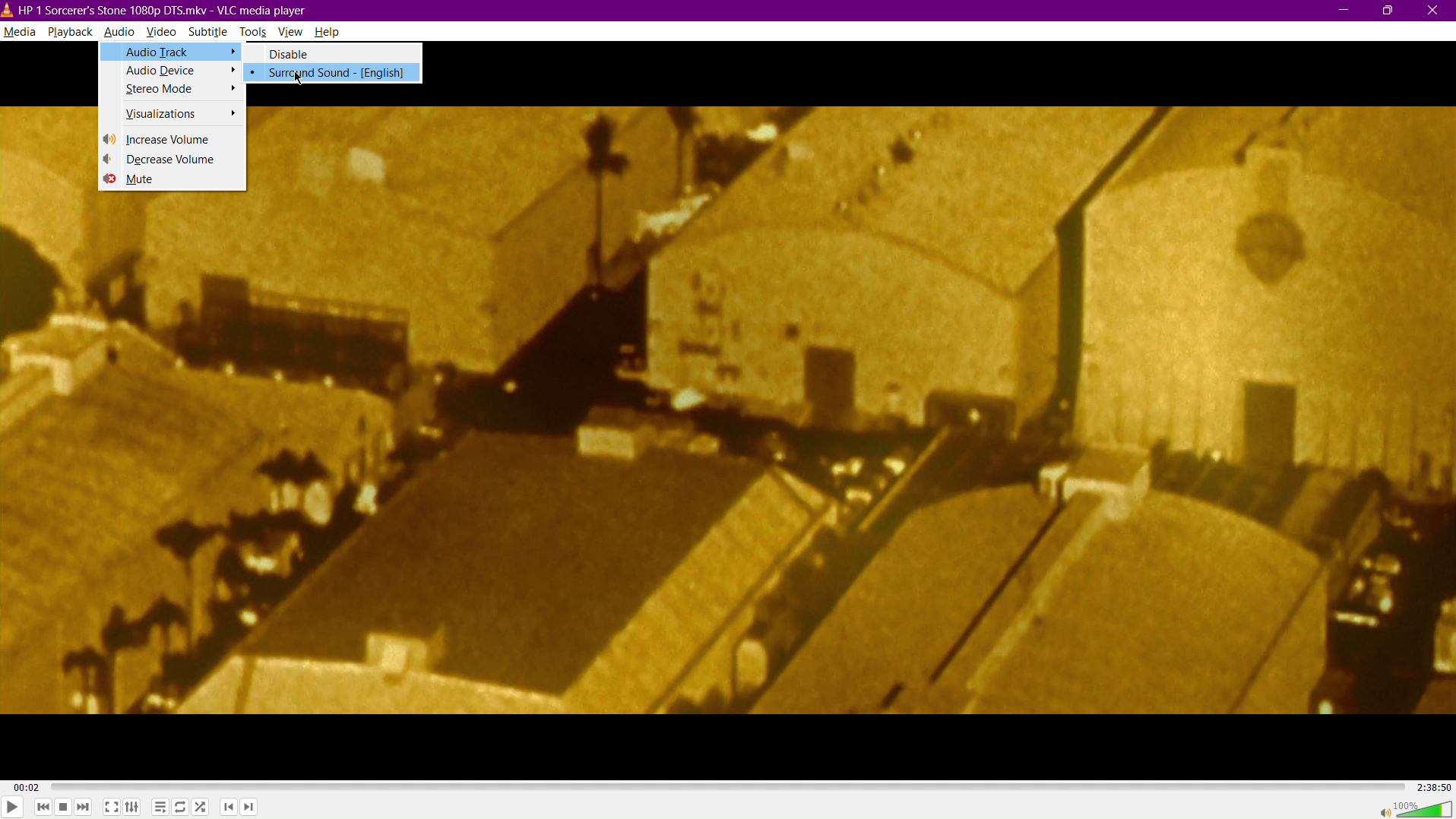  I want to click on Last Chapter, so click(229, 809).